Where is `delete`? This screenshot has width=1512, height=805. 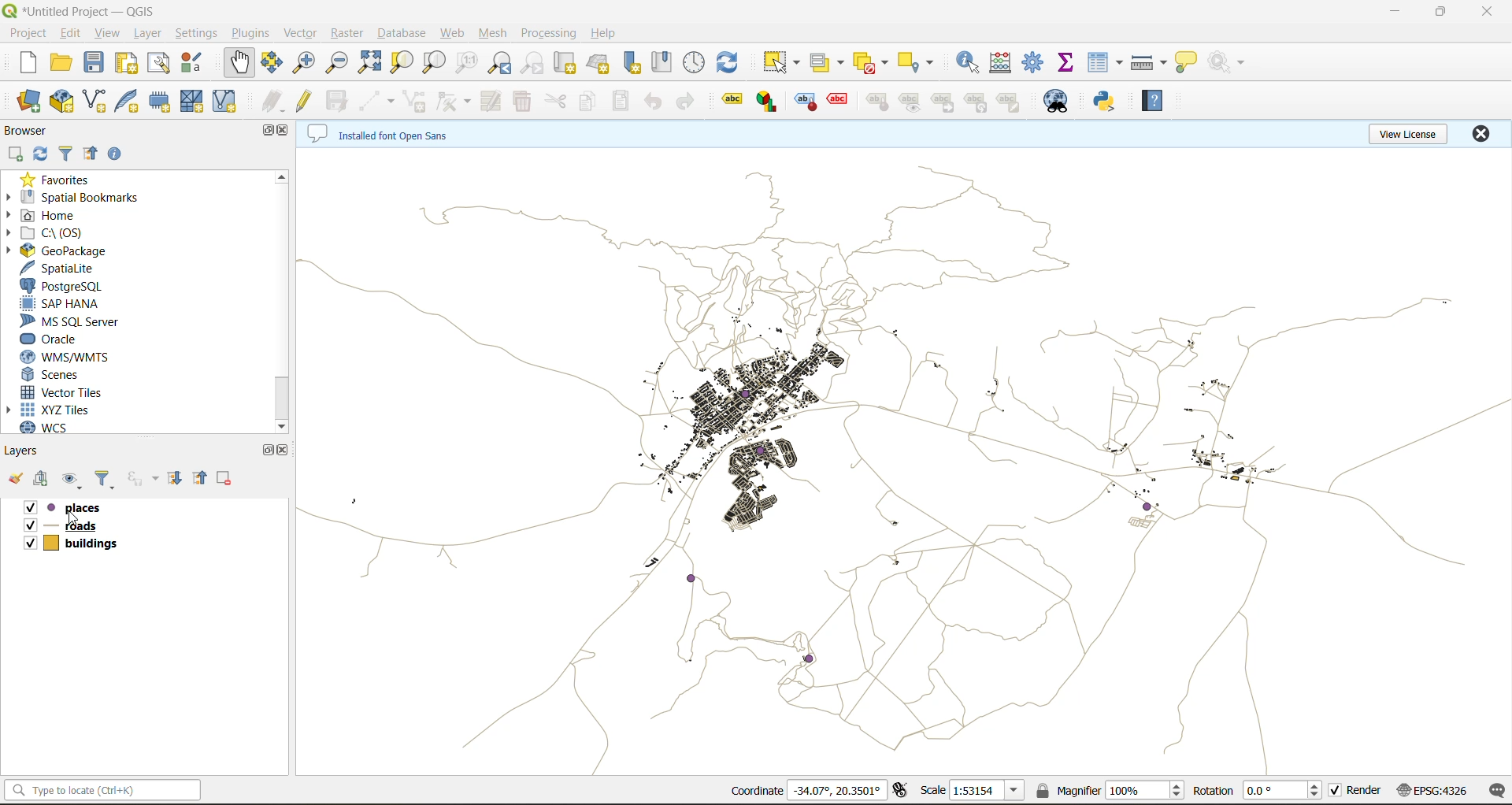
delete is located at coordinates (522, 103).